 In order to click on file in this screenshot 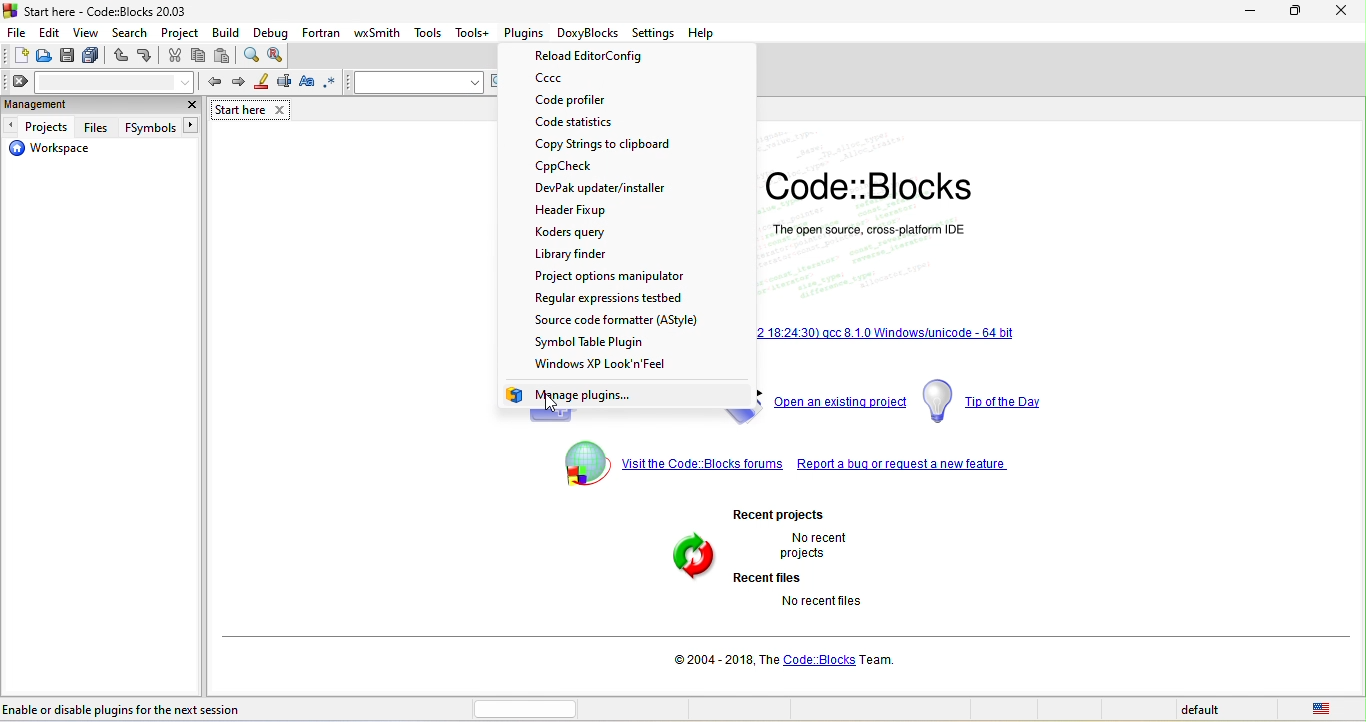, I will do `click(17, 31)`.